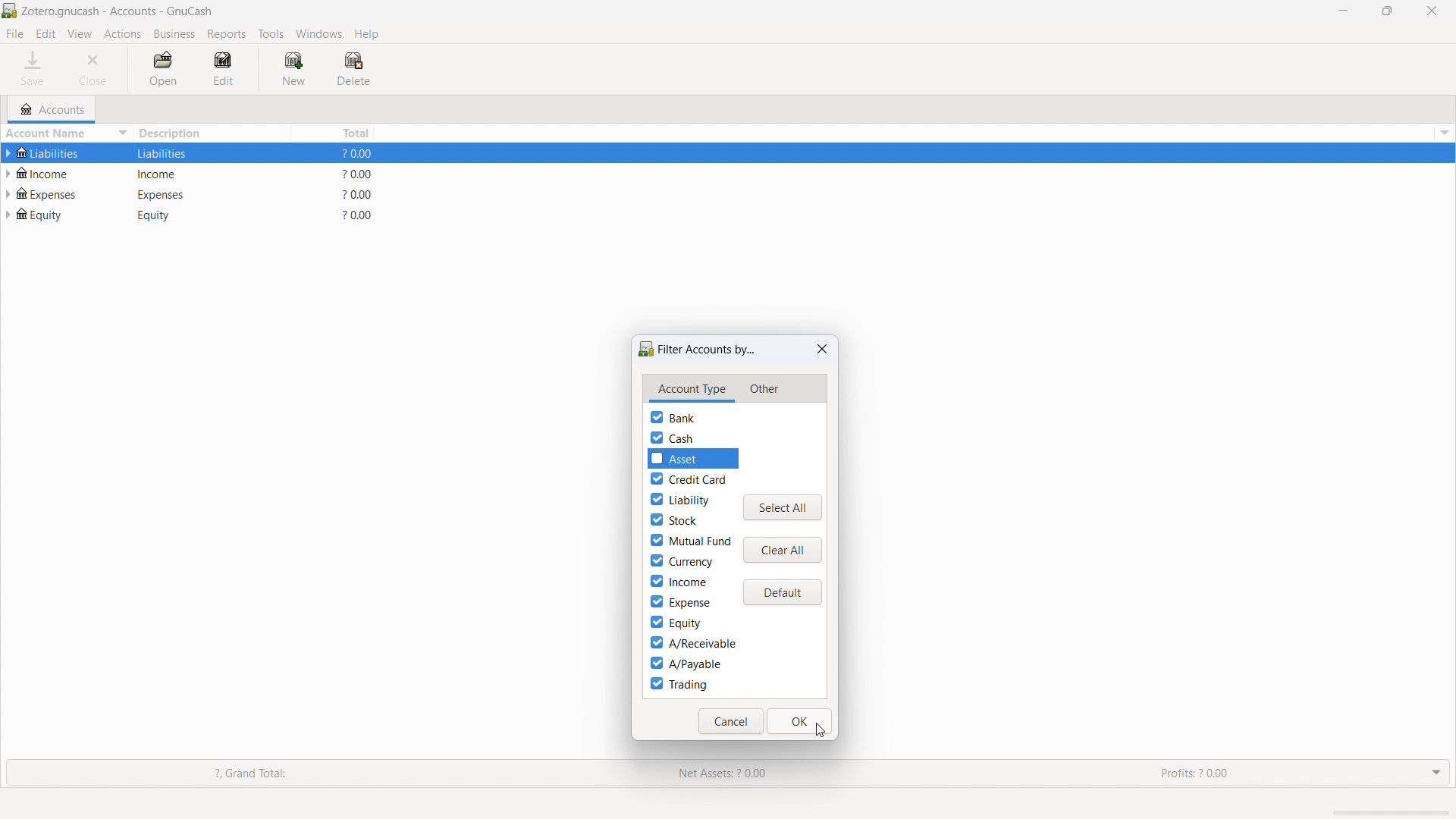  What do you see at coordinates (1432, 11) in the screenshot?
I see `close` at bounding box center [1432, 11].